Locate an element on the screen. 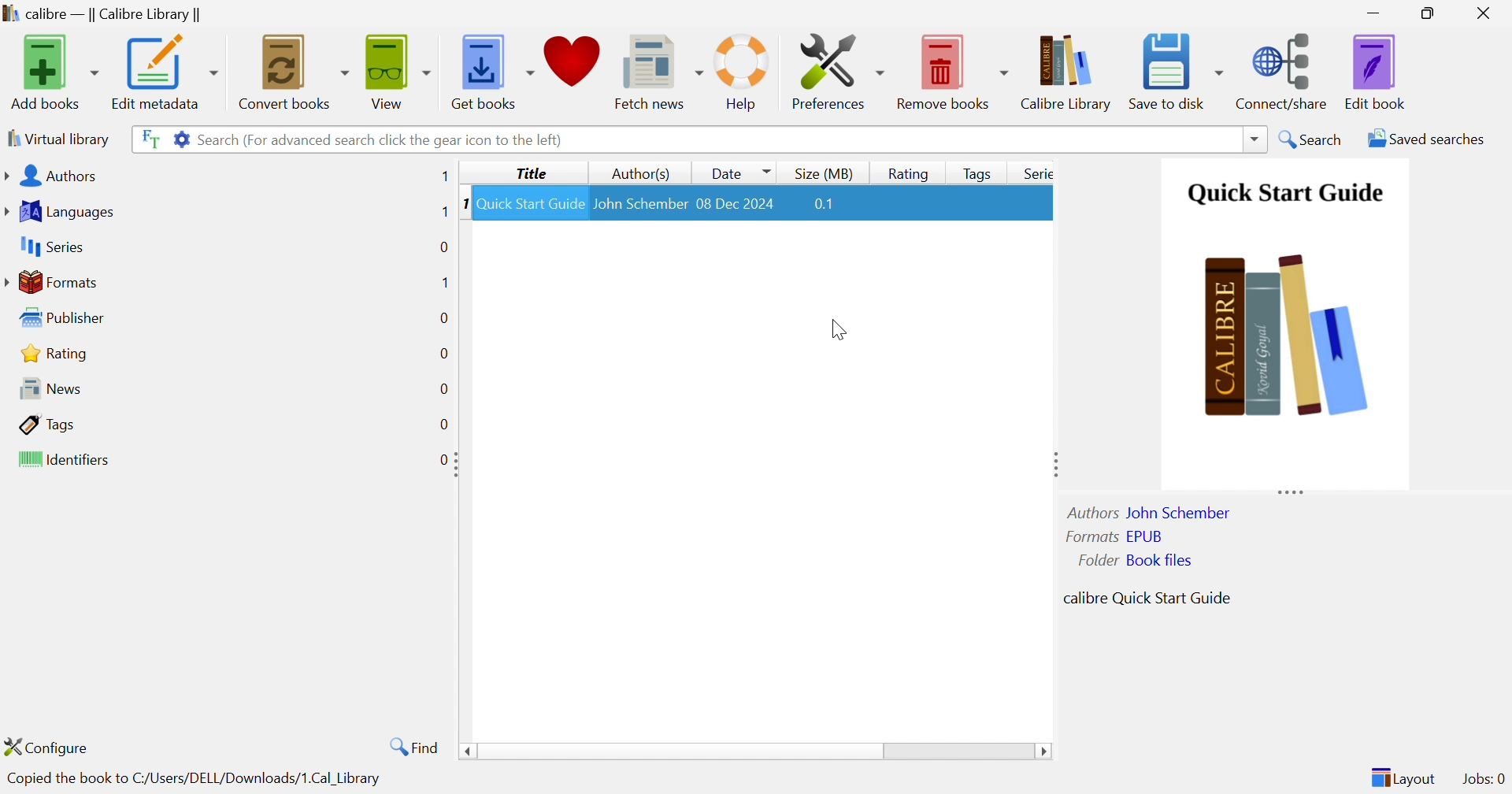  Search the full text of all the books in the library, not just their metadata is located at coordinates (147, 136).